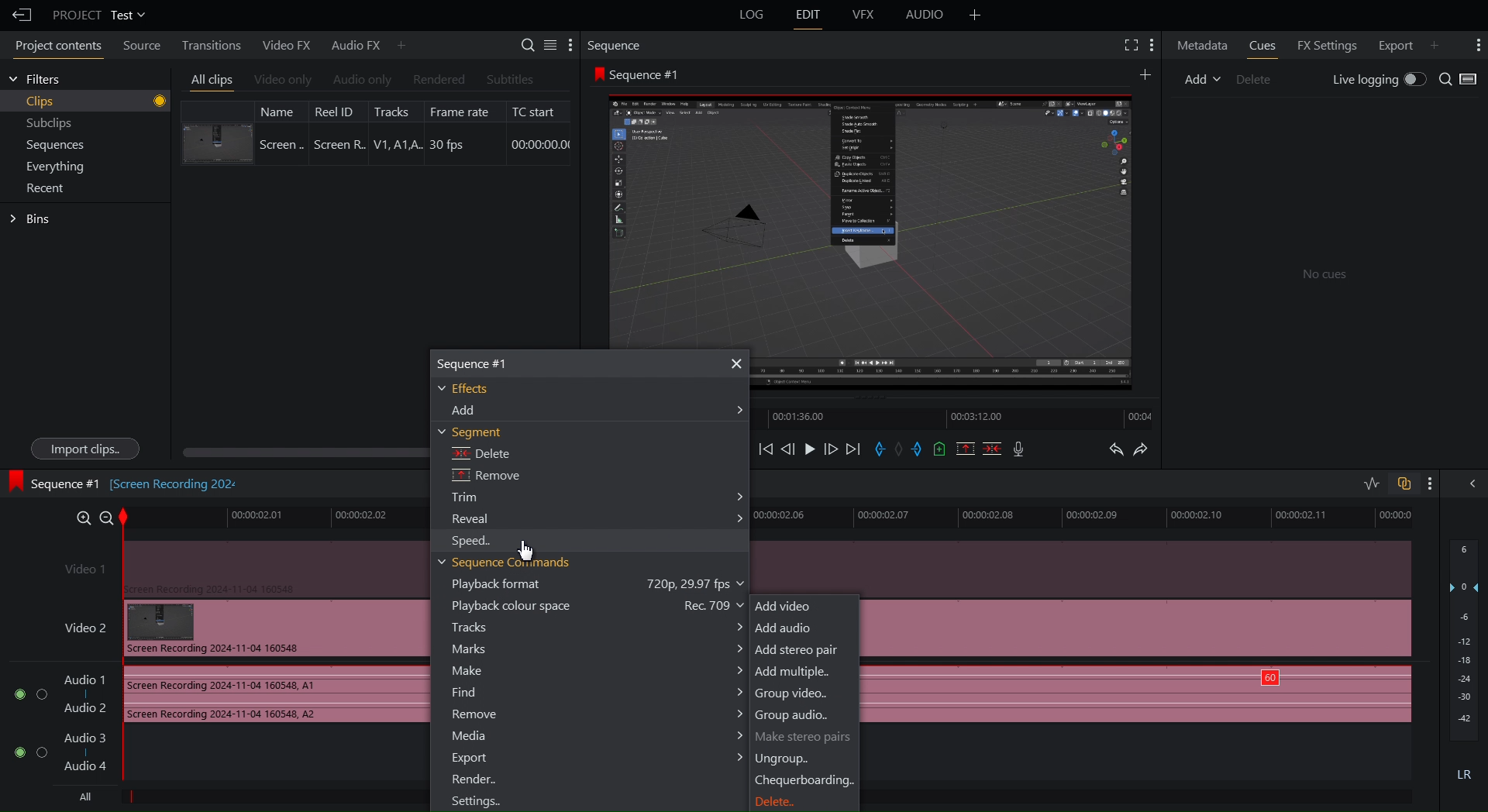 The image size is (1488, 812). I want to click on More, so click(1430, 483).